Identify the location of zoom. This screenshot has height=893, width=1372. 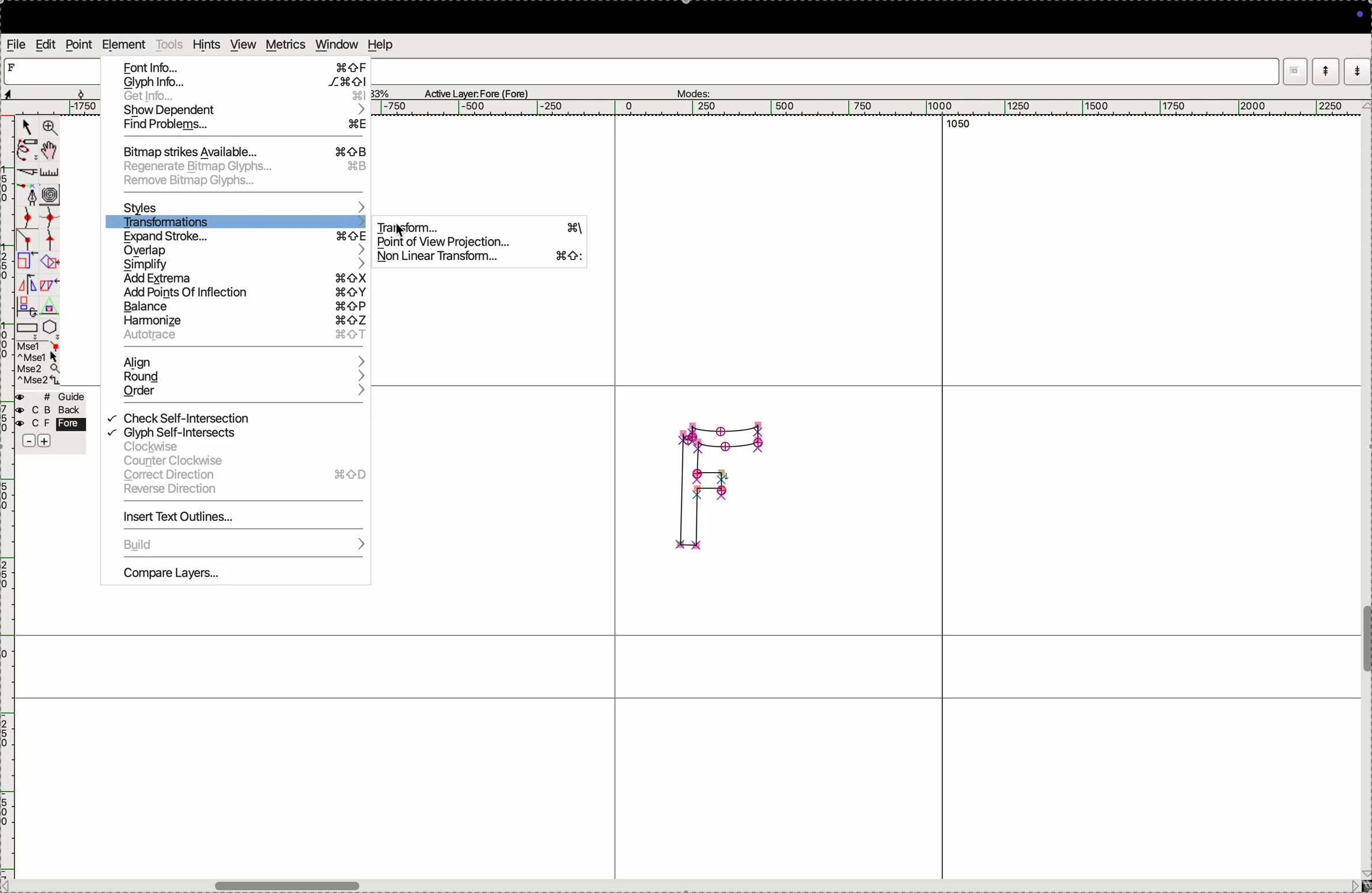
(50, 129).